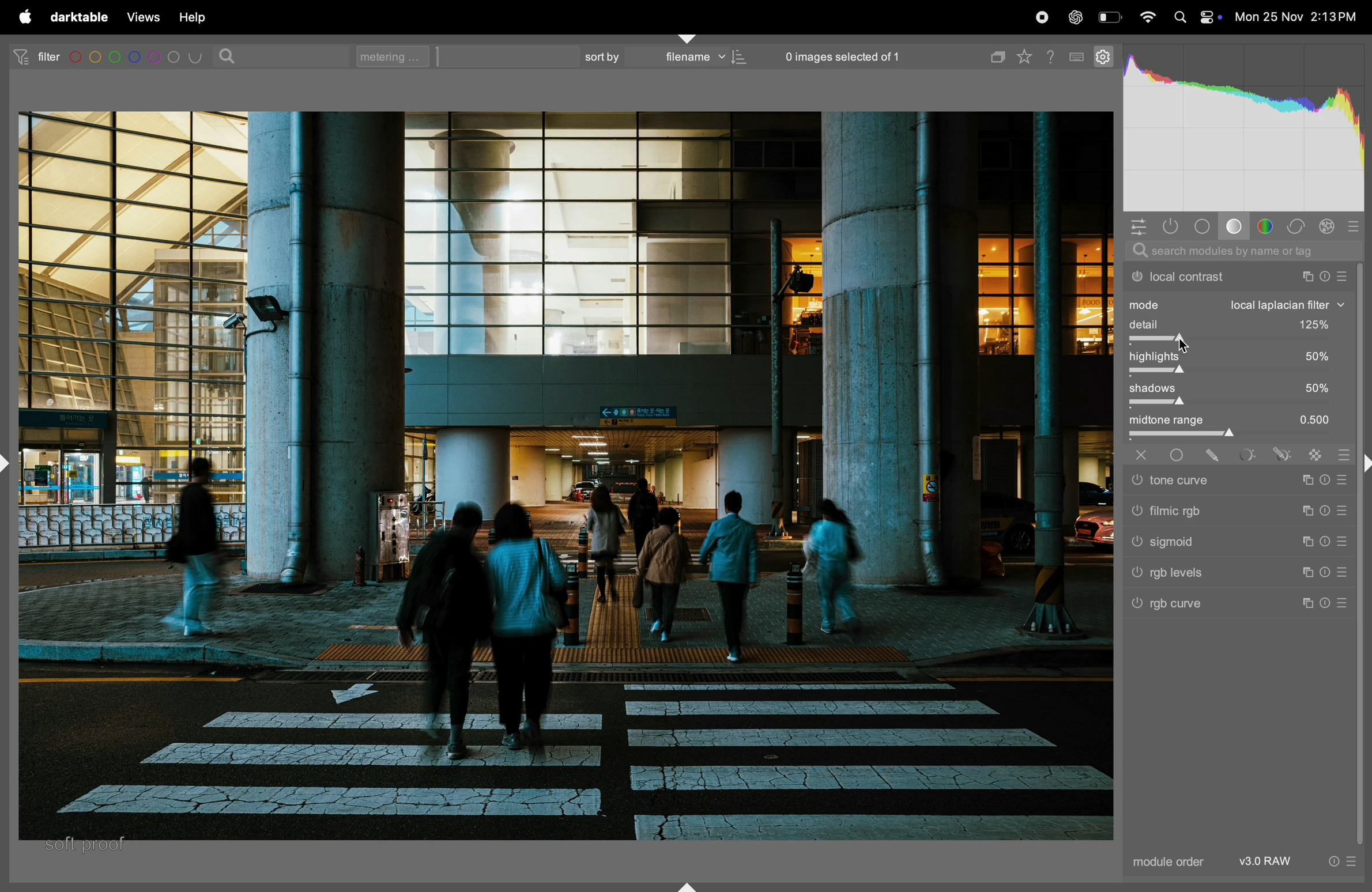 This screenshot has height=892, width=1372. Describe the element at coordinates (1234, 226) in the screenshot. I see `base` at that location.